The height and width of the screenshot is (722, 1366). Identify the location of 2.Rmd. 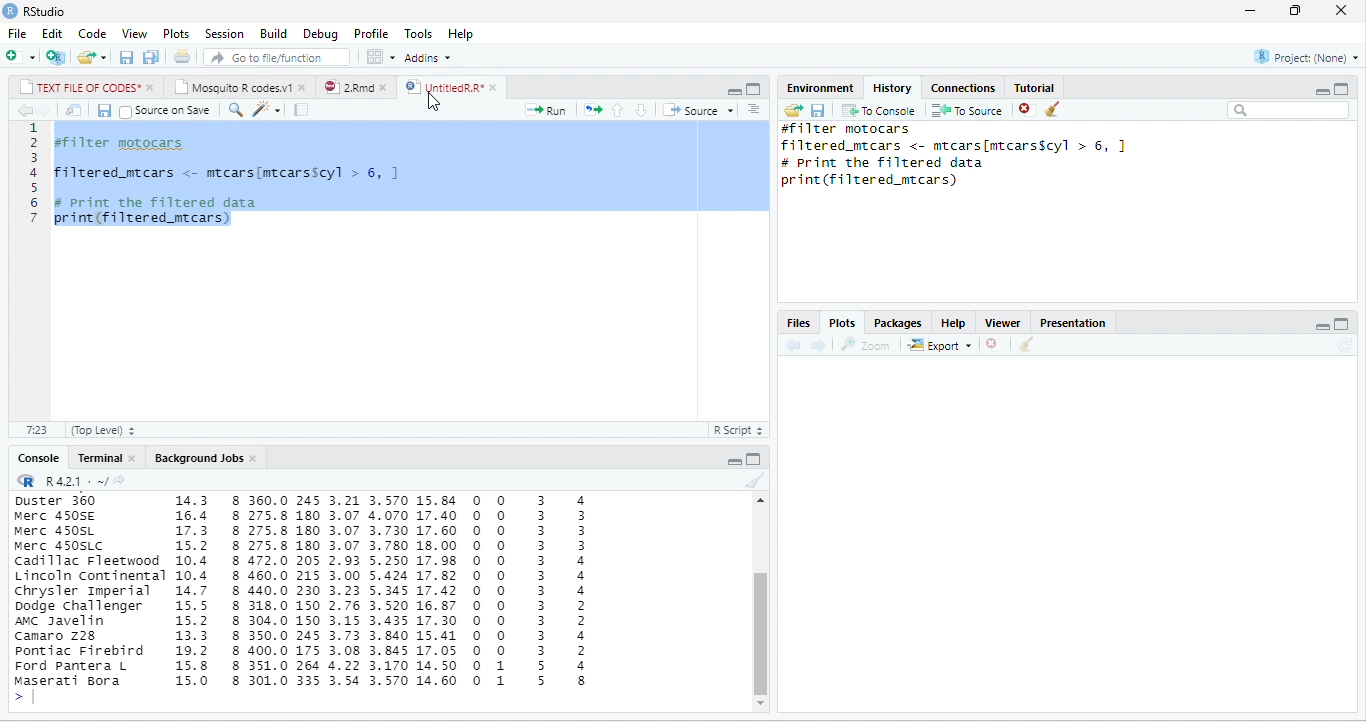
(348, 87).